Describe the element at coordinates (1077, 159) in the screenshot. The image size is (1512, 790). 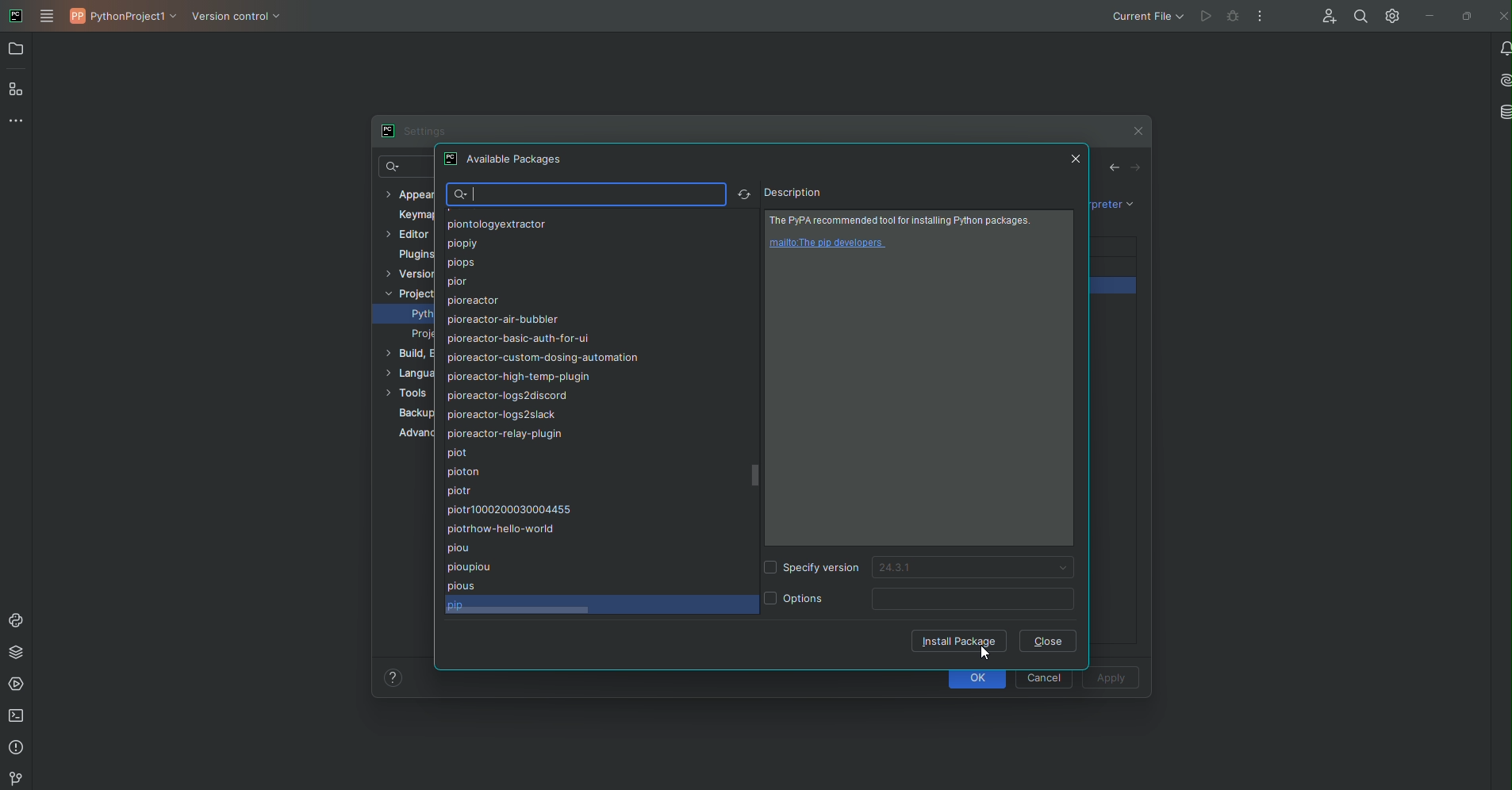
I see `Close` at that location.